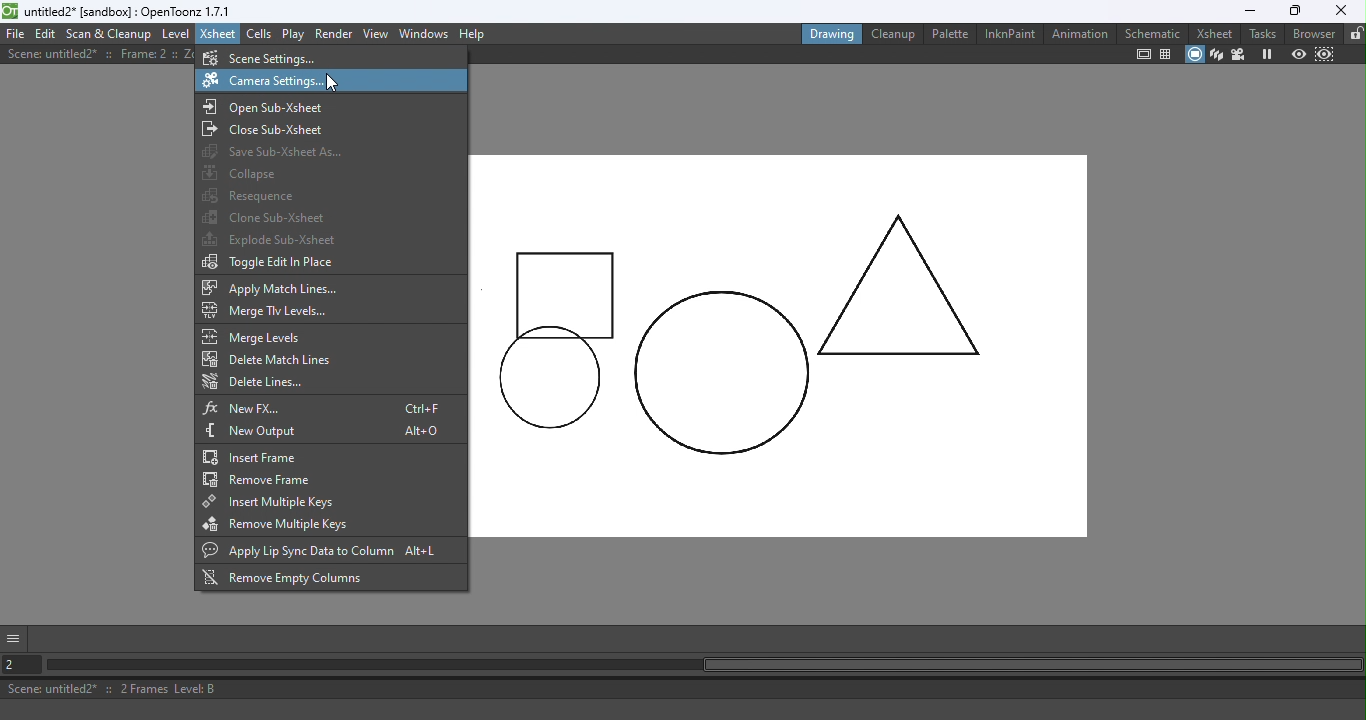 The image size is (1366, 720). Describe the element at coordinates (424, 33) in the screenshot. I see `Windows` at that location.